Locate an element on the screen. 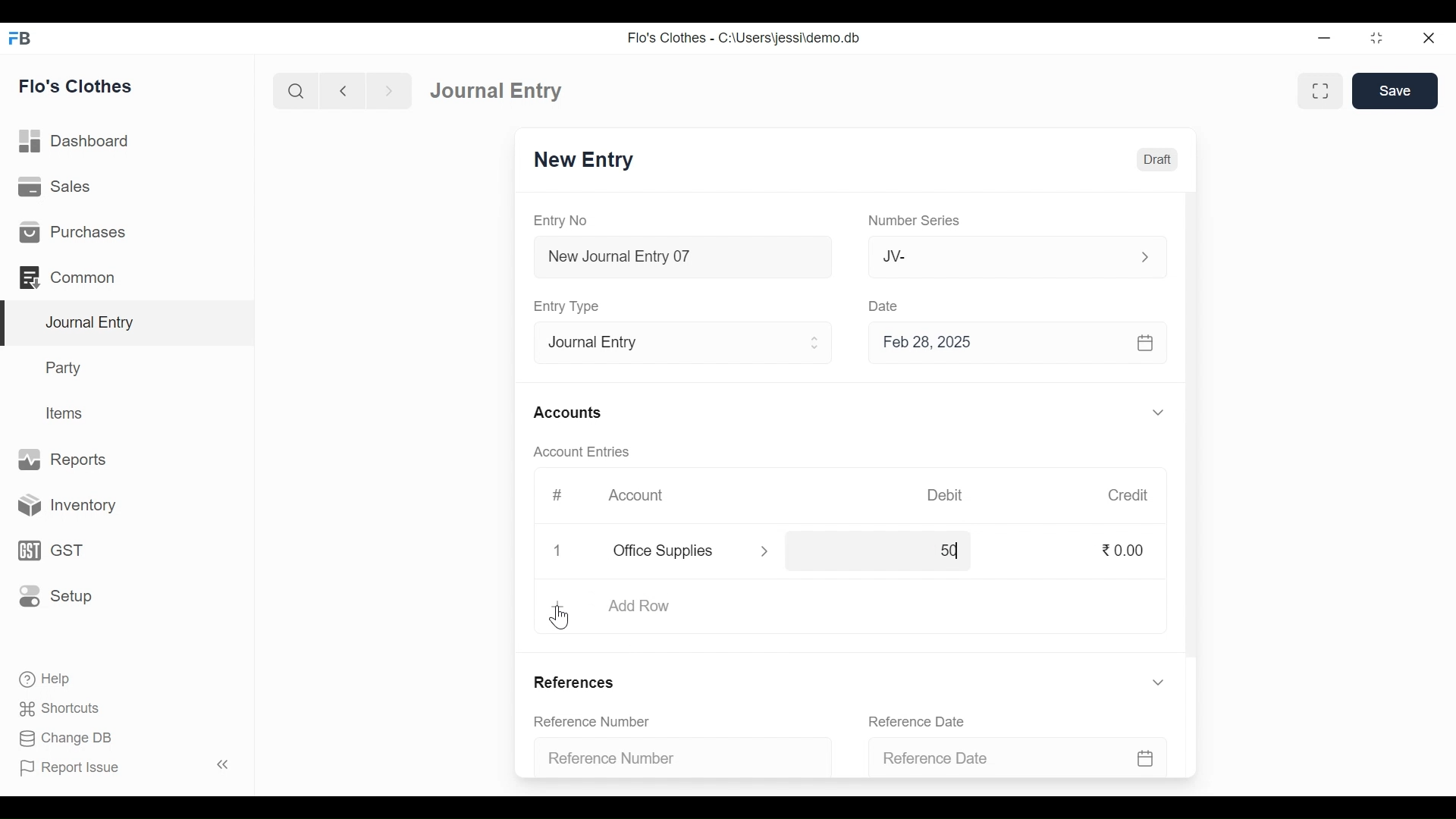 The image size is (1456, 819). Debit is located at coordinates (943, 495).